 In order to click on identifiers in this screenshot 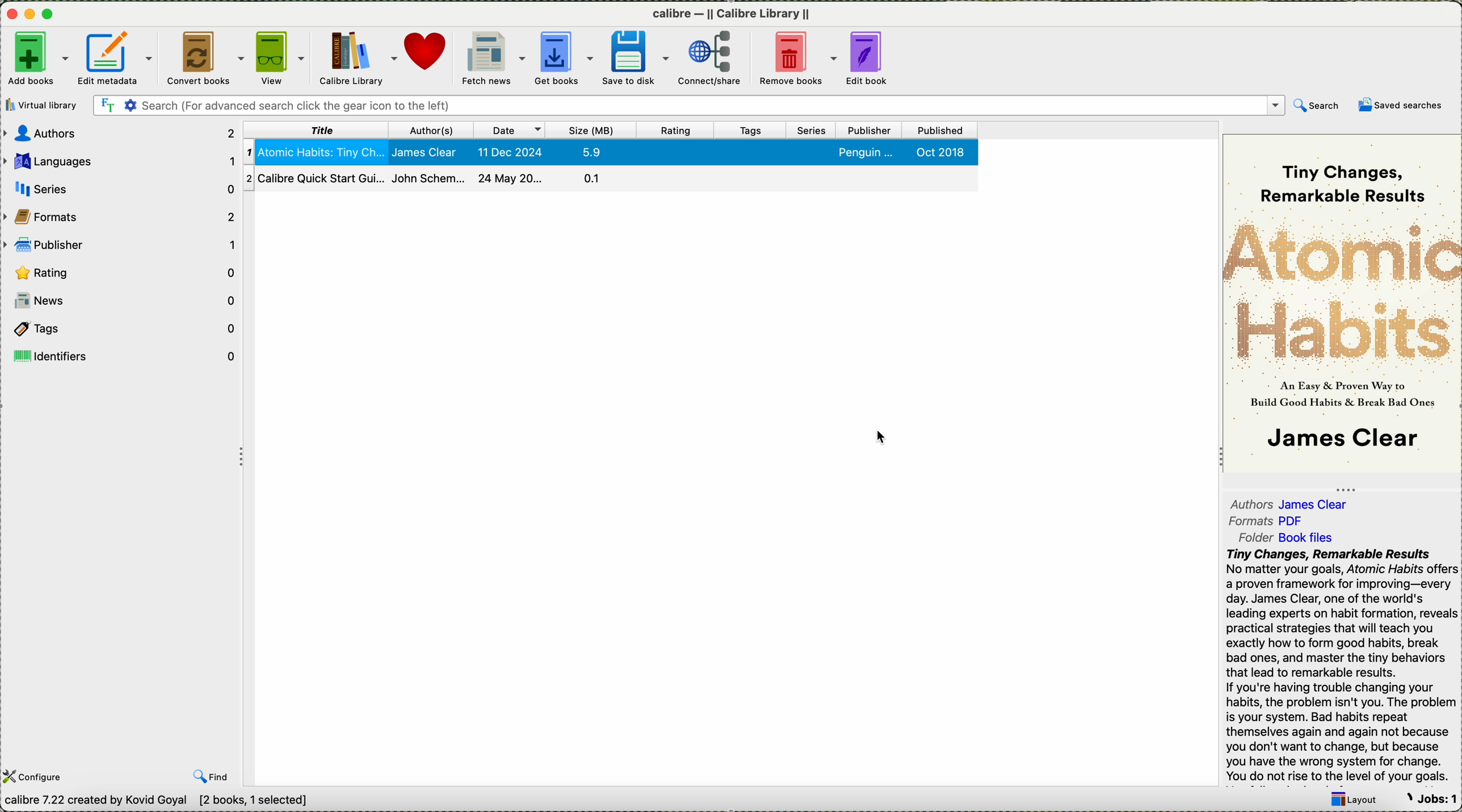, I will do `click(121, 356)`.